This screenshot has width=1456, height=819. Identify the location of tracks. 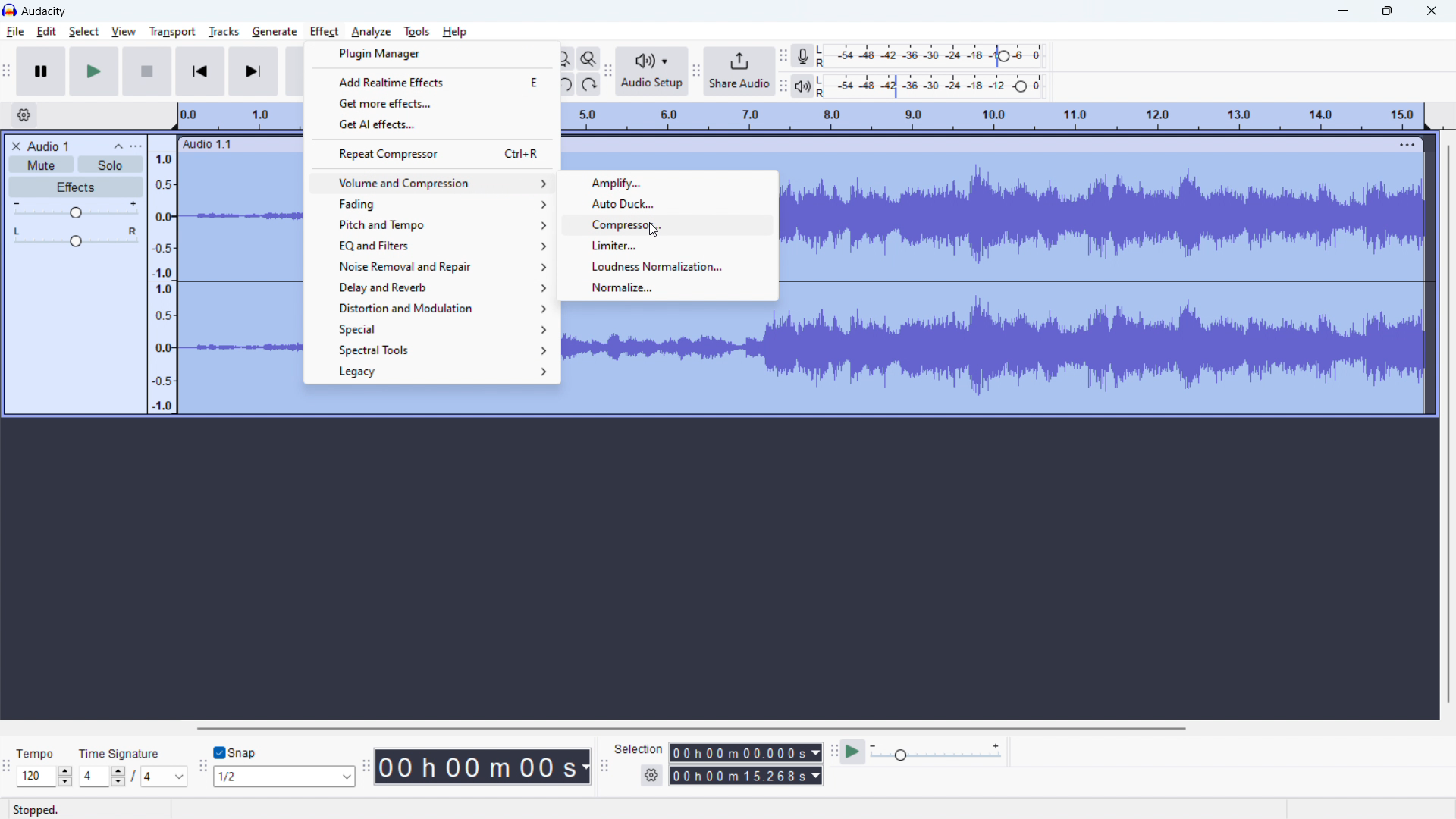
(223, 32).